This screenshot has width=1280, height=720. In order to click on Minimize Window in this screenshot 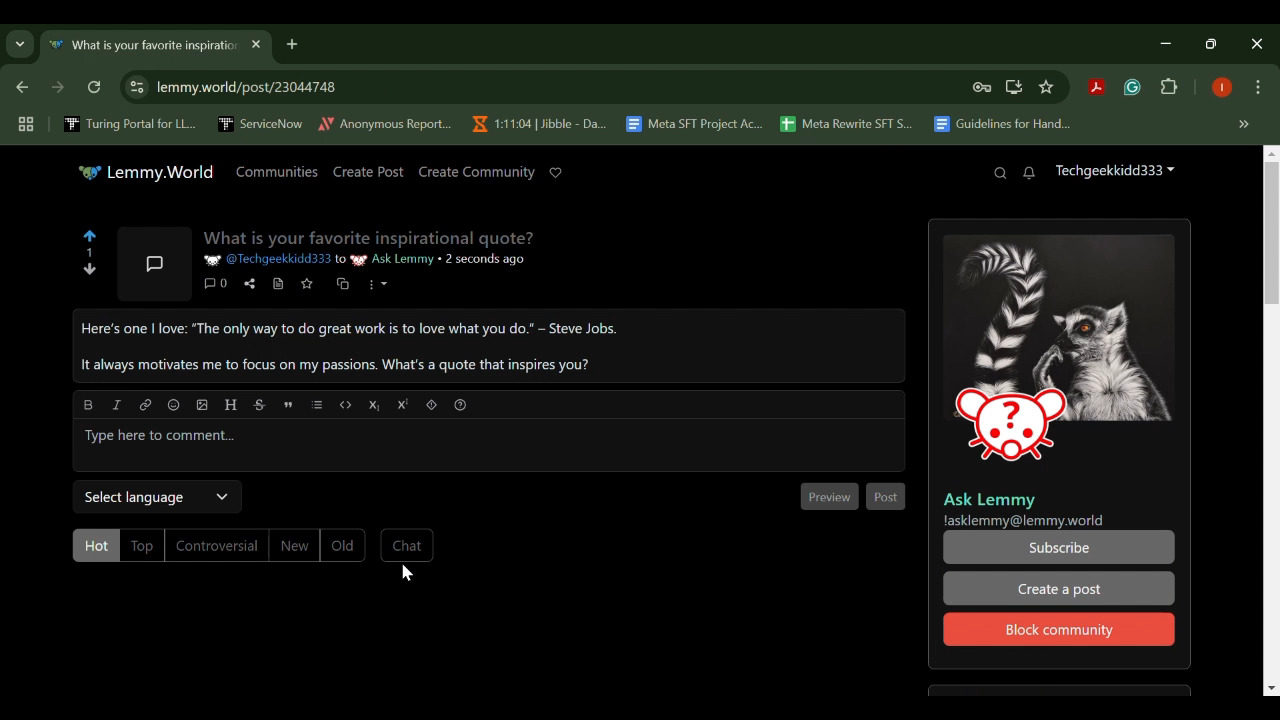, I will do `click(1214, 43)`.